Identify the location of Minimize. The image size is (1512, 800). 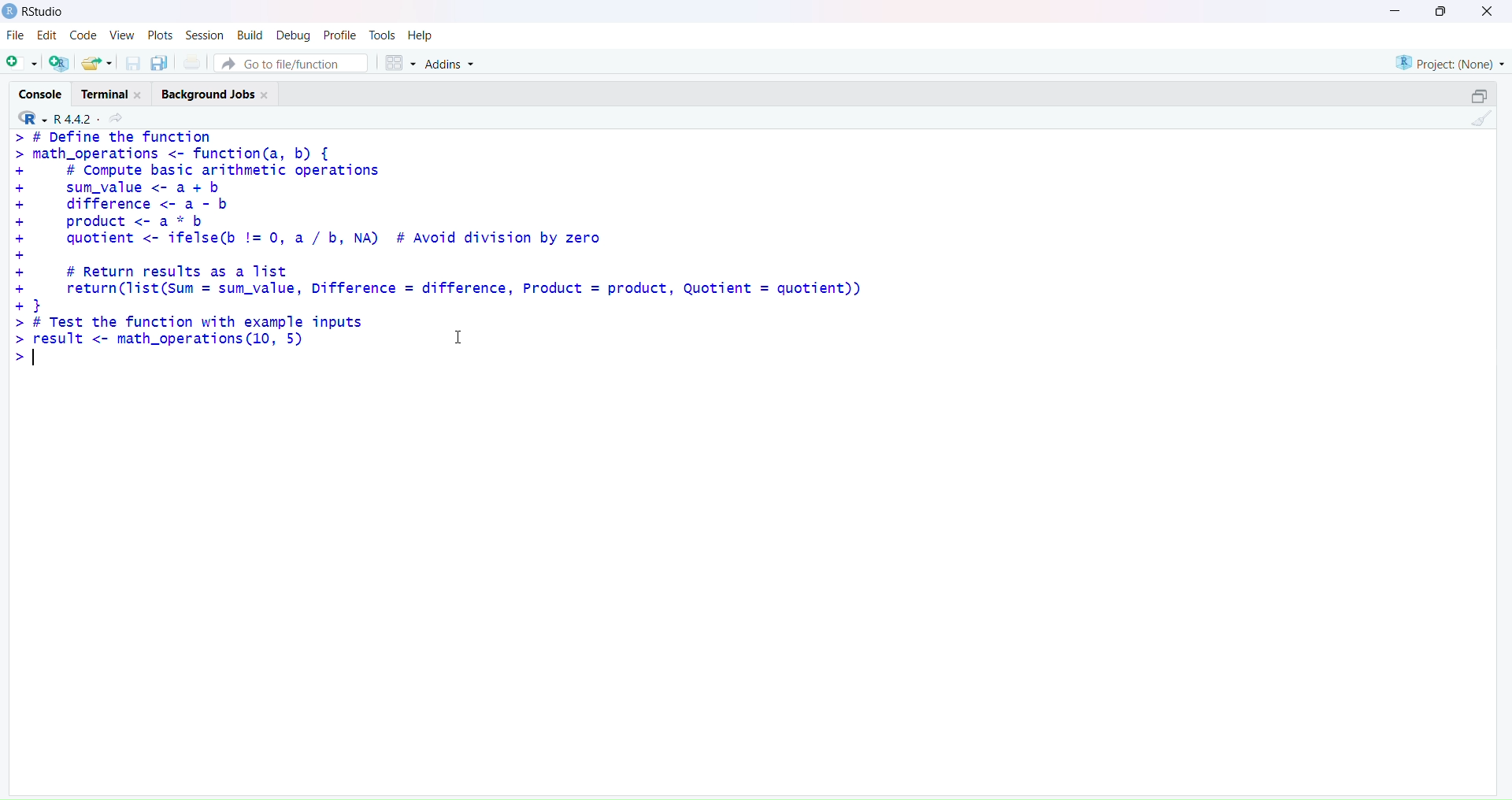
(1396, 9).